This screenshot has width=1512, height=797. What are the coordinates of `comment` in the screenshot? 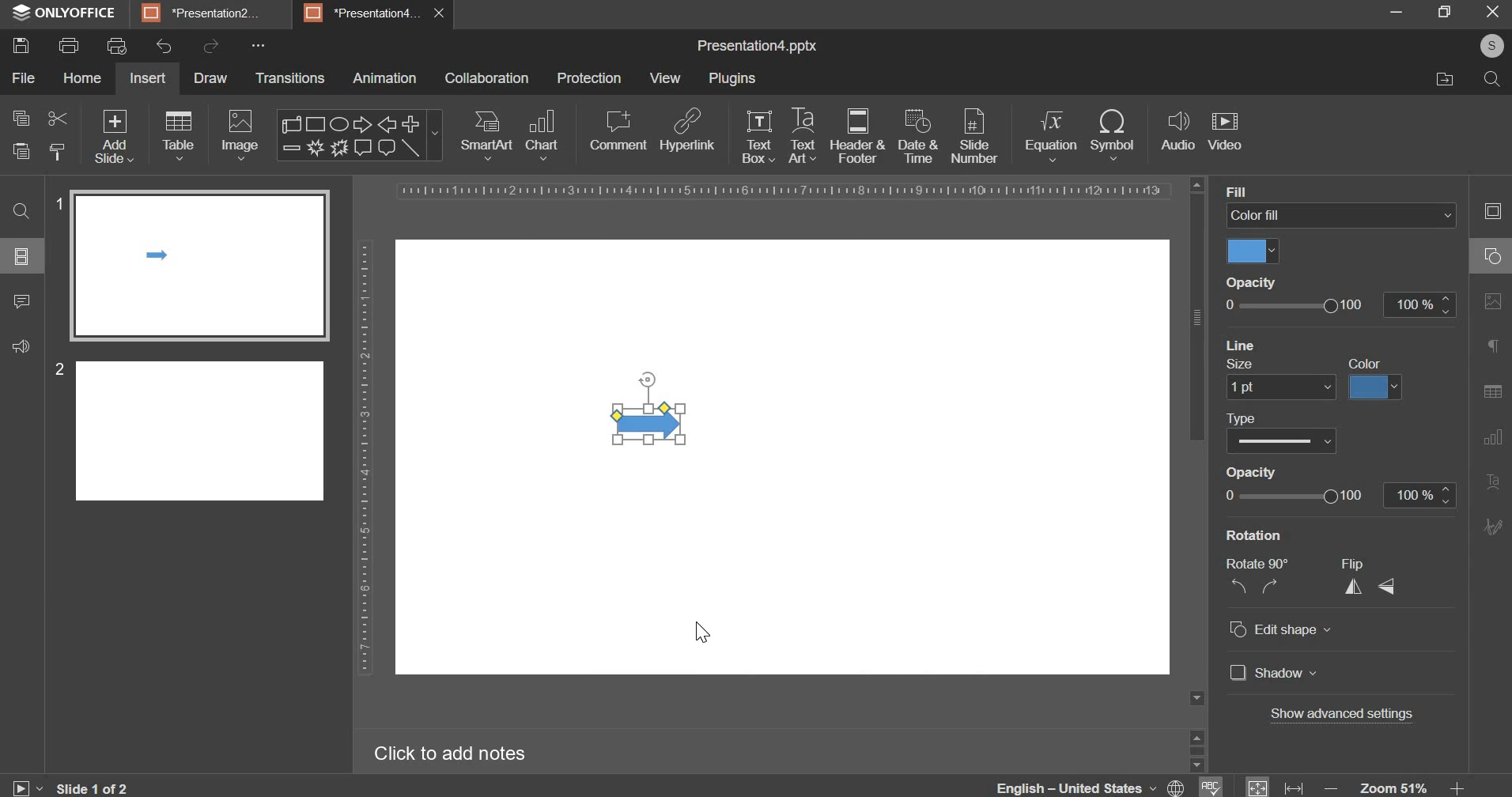 It's located at (23, 308).